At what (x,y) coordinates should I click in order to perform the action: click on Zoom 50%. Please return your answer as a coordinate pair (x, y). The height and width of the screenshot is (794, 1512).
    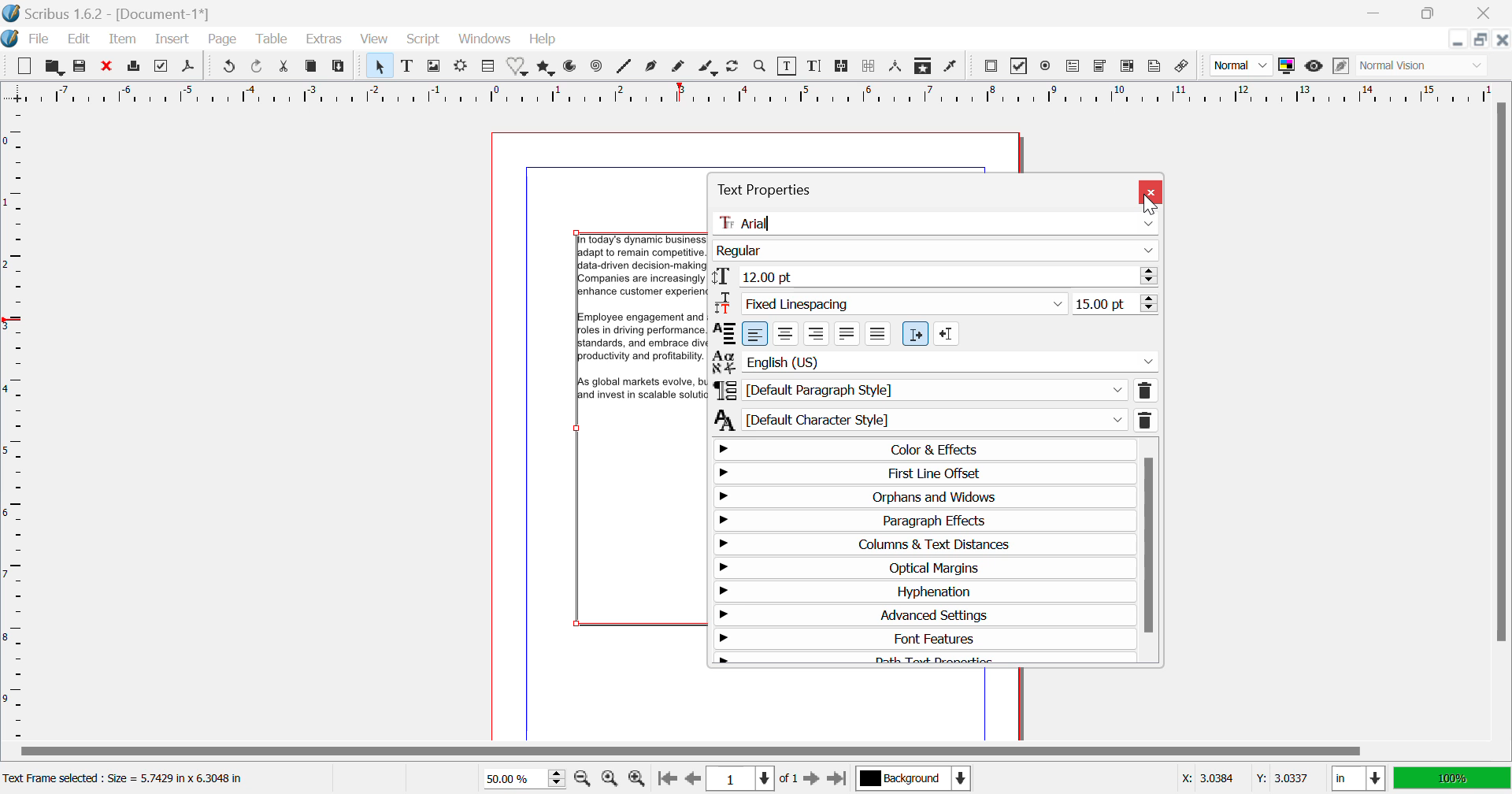
    Looking at the image, I should click on (523, 777).